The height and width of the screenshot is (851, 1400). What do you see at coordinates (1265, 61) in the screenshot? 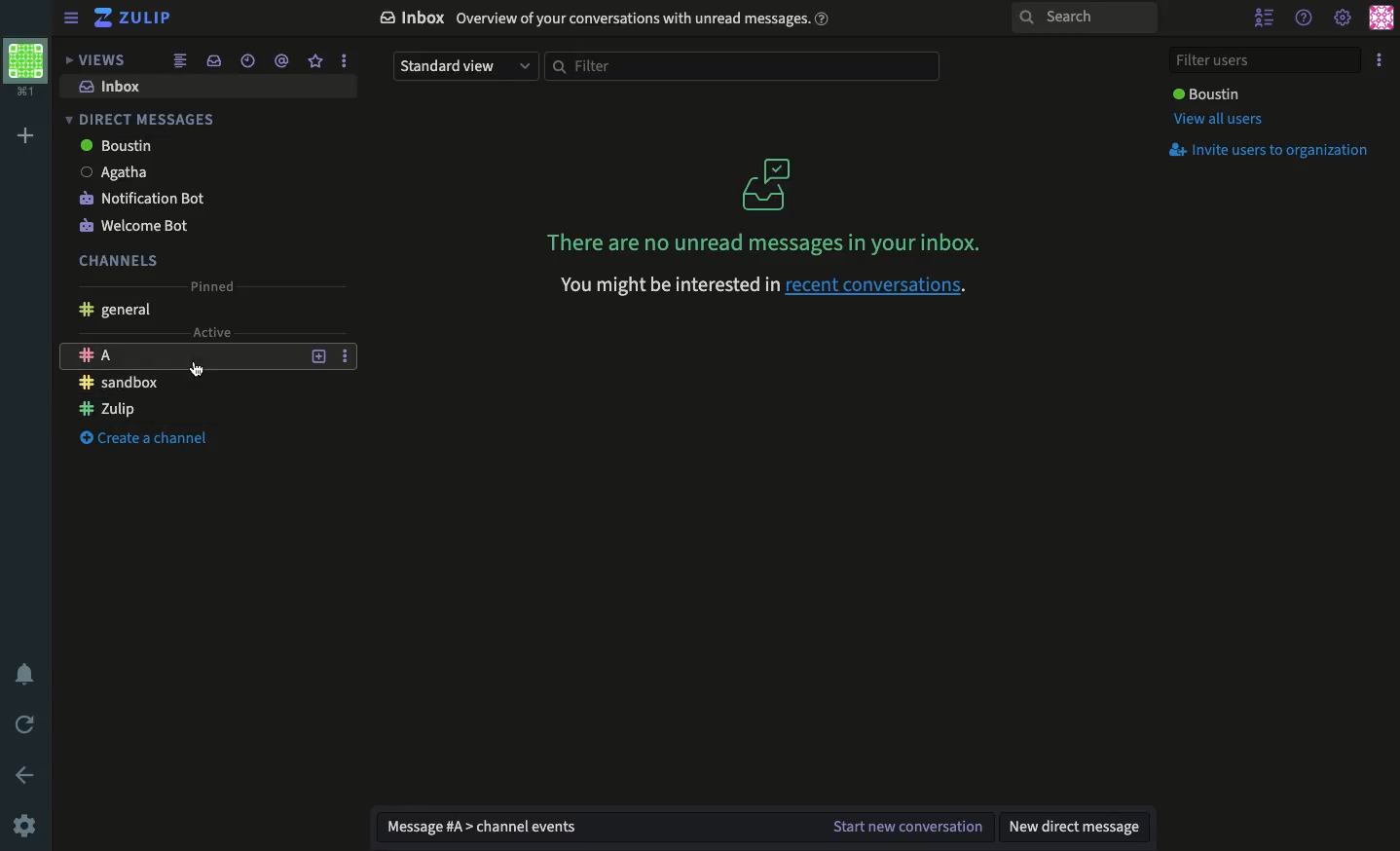
I see `Filter users` at bounding box center [1265, 61].